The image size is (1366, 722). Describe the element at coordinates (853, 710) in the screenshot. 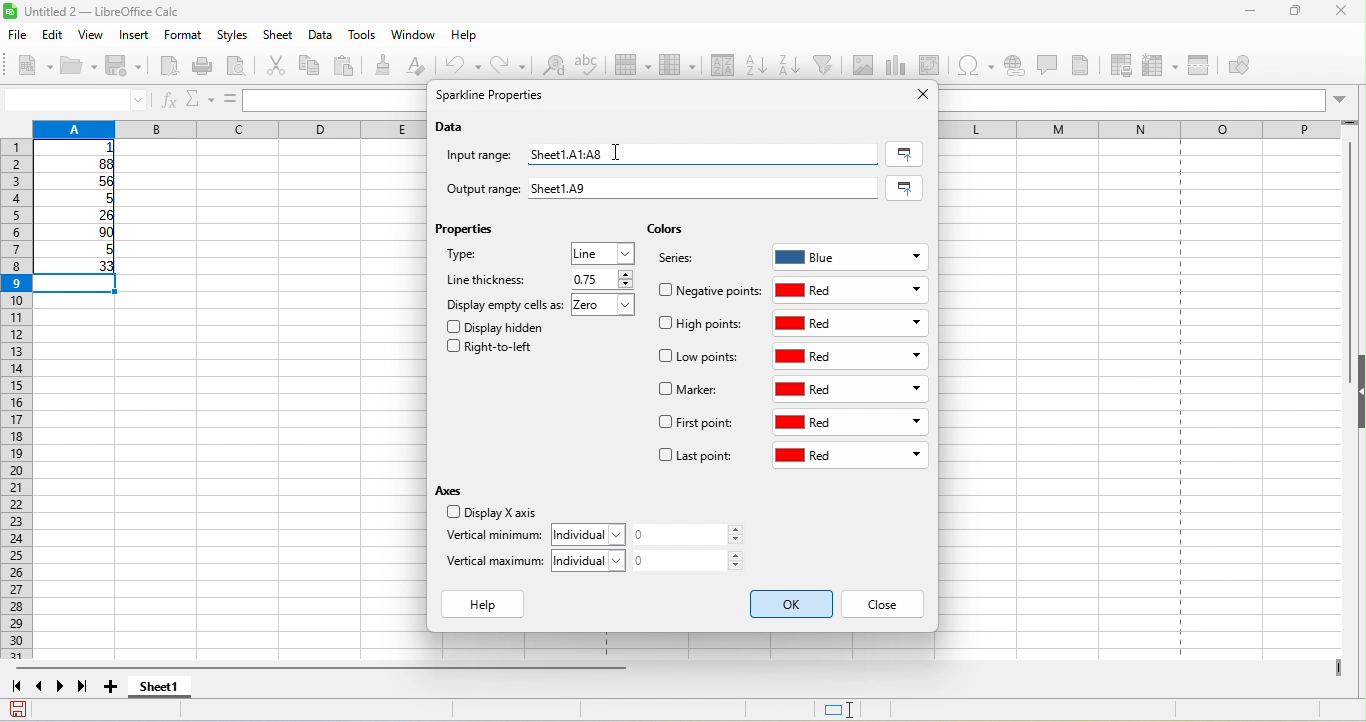

I see `standard selection` at that location.